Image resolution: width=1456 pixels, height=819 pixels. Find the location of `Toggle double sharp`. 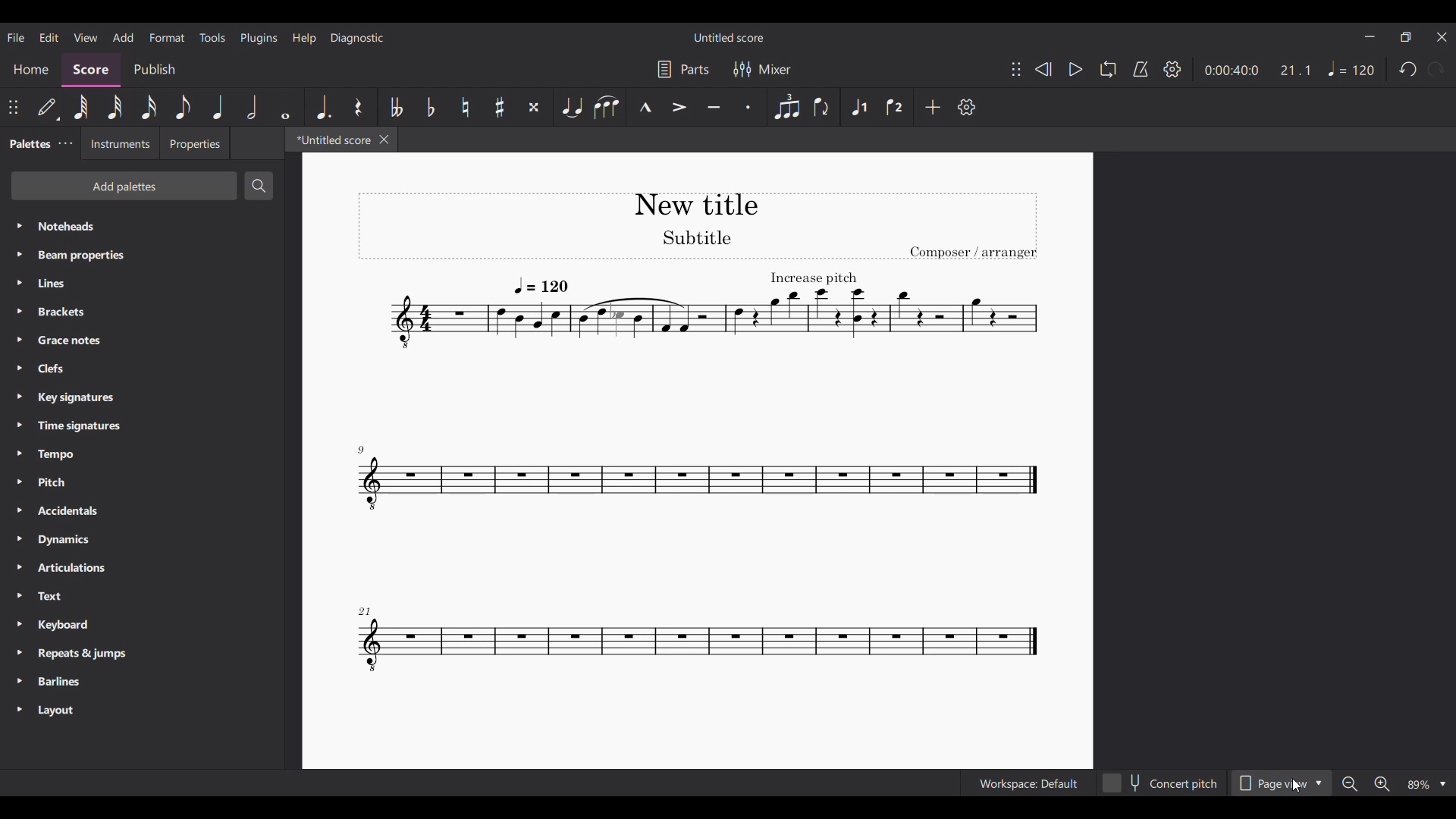

Toggle double sharp is located at coordinates (534, 107).